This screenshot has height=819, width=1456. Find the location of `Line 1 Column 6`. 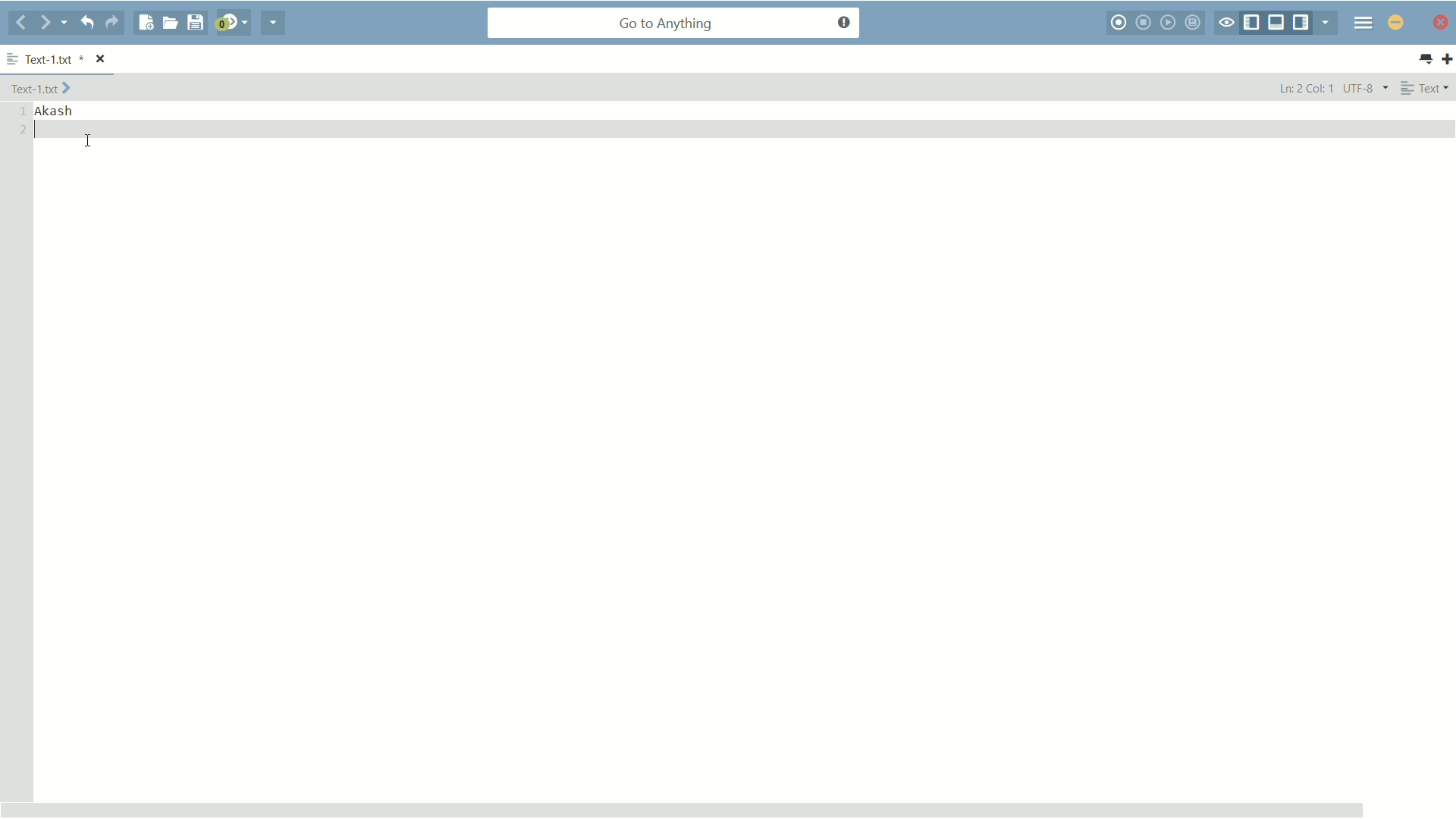

Line 1 Column 6 is located at coordinates (1304, 87).